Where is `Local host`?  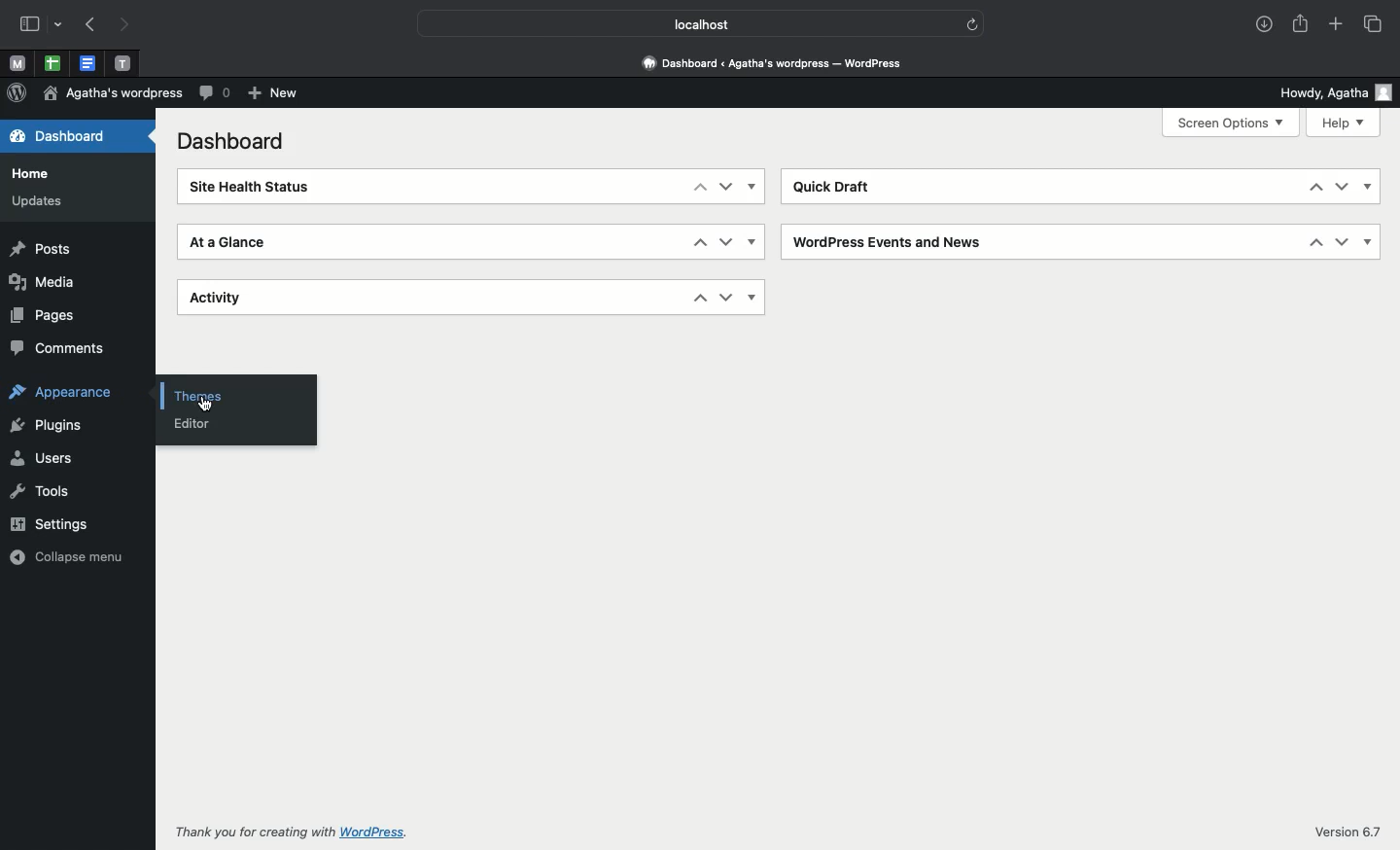 Local host is located at coordinates (686, 23).